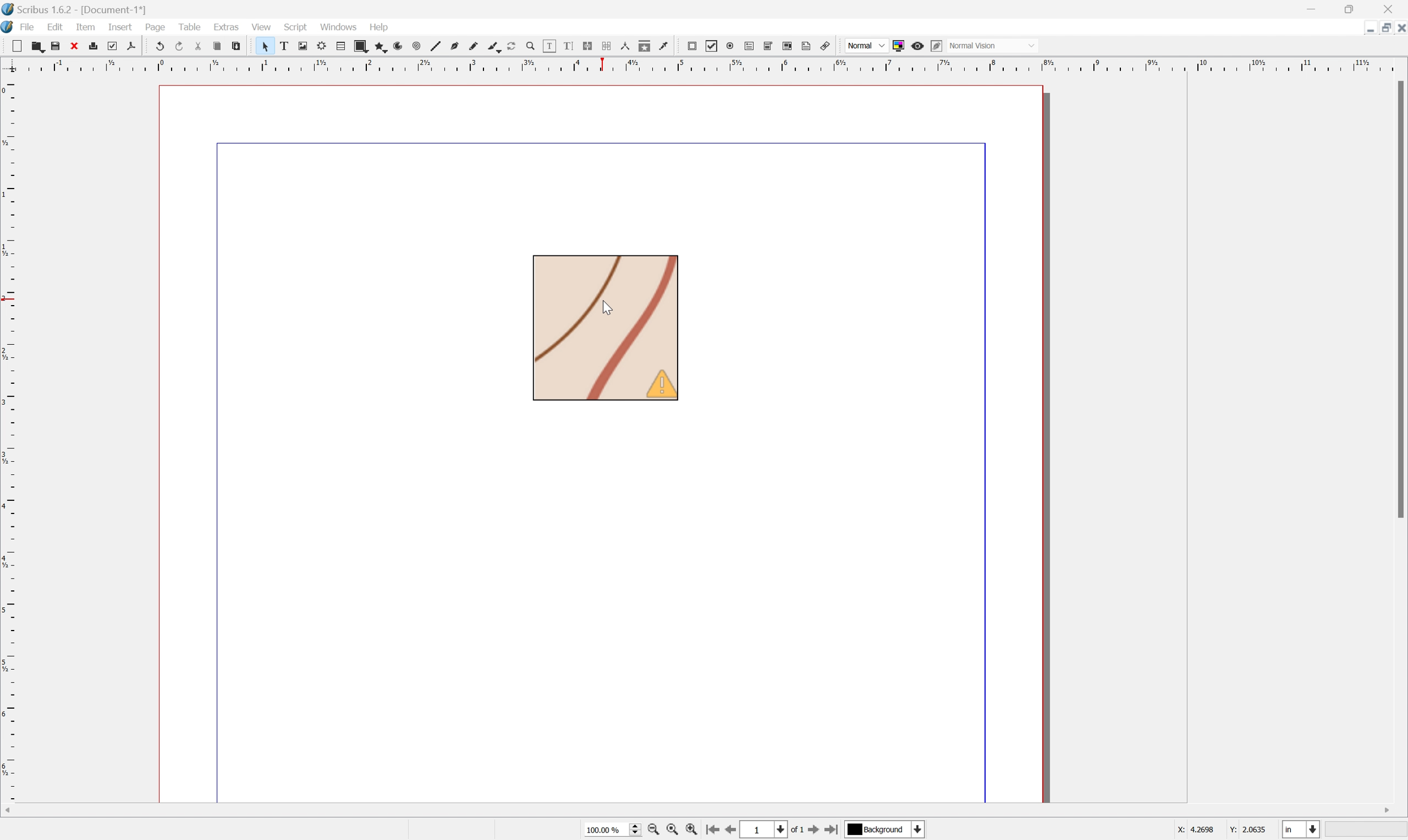 This screenshot has height=840, width=1408. What do you see at coordinates (606, 329) in the screenshot?
I see `Image` at bounding box center [606, 329].